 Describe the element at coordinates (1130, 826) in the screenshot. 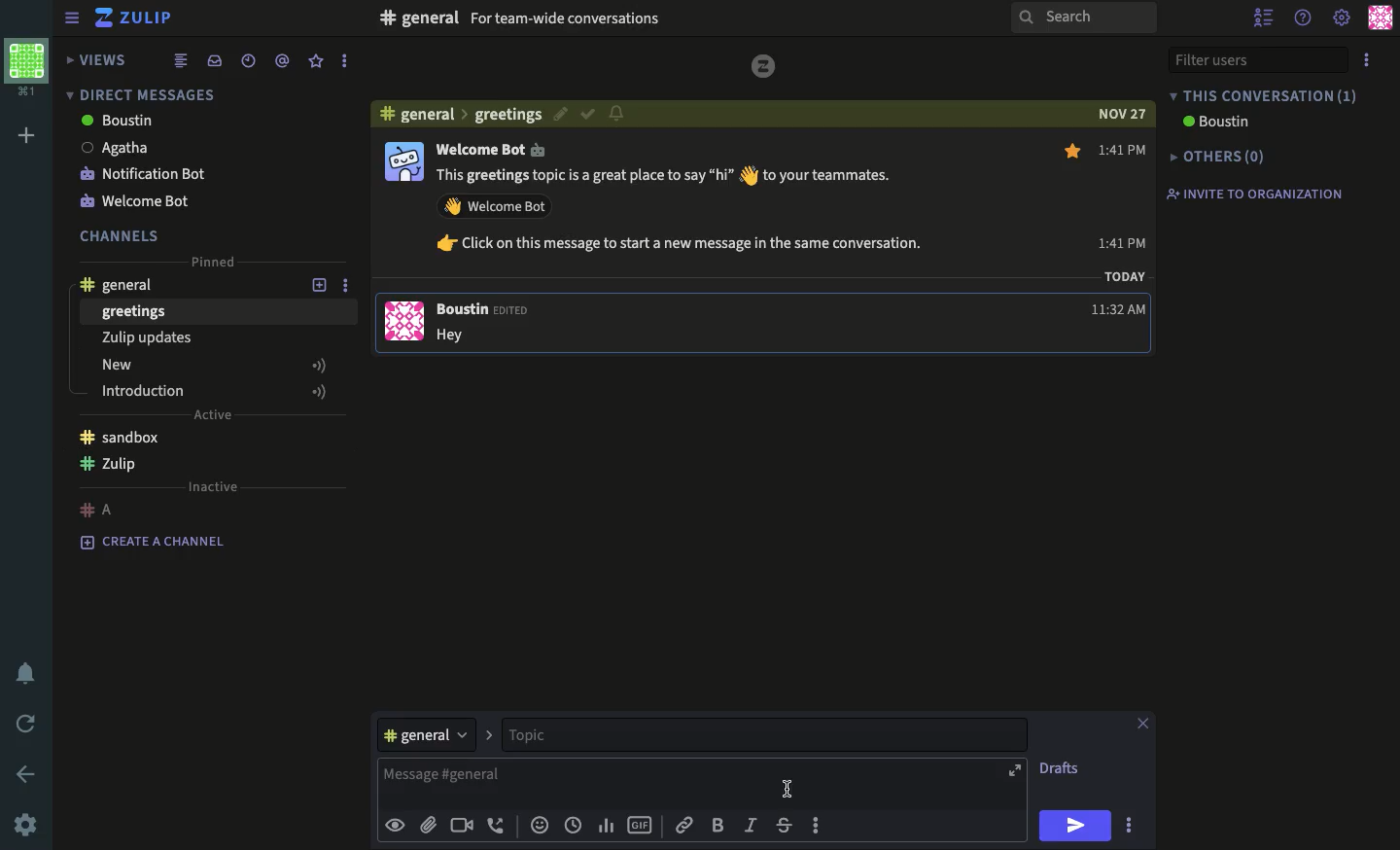

I see `options` at that location.